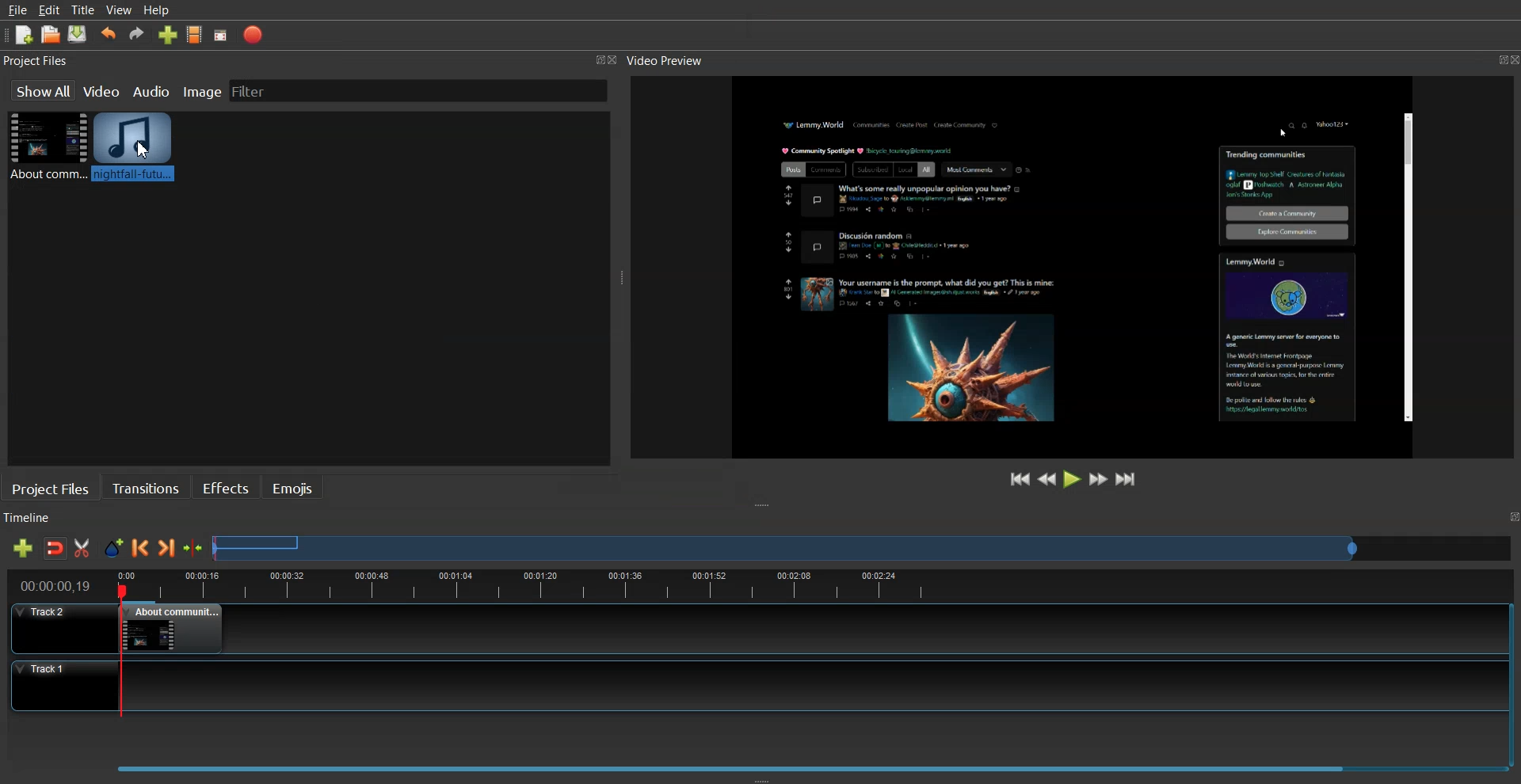  What do you see at coordinates (757, 763) in the screenshot?
I see `Slider` at bounding box center [757, 763].